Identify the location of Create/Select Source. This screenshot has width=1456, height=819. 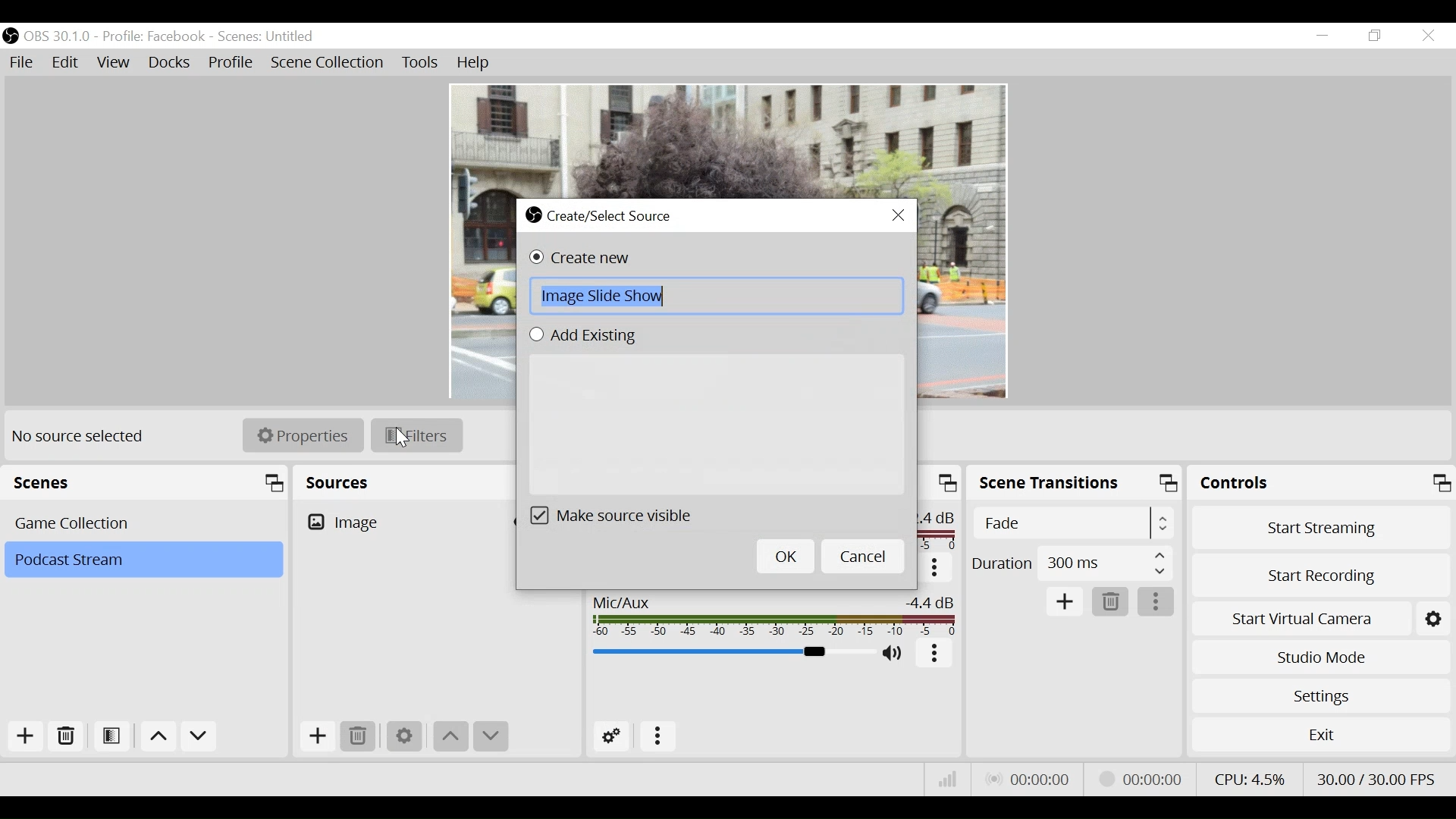
(604, 214).